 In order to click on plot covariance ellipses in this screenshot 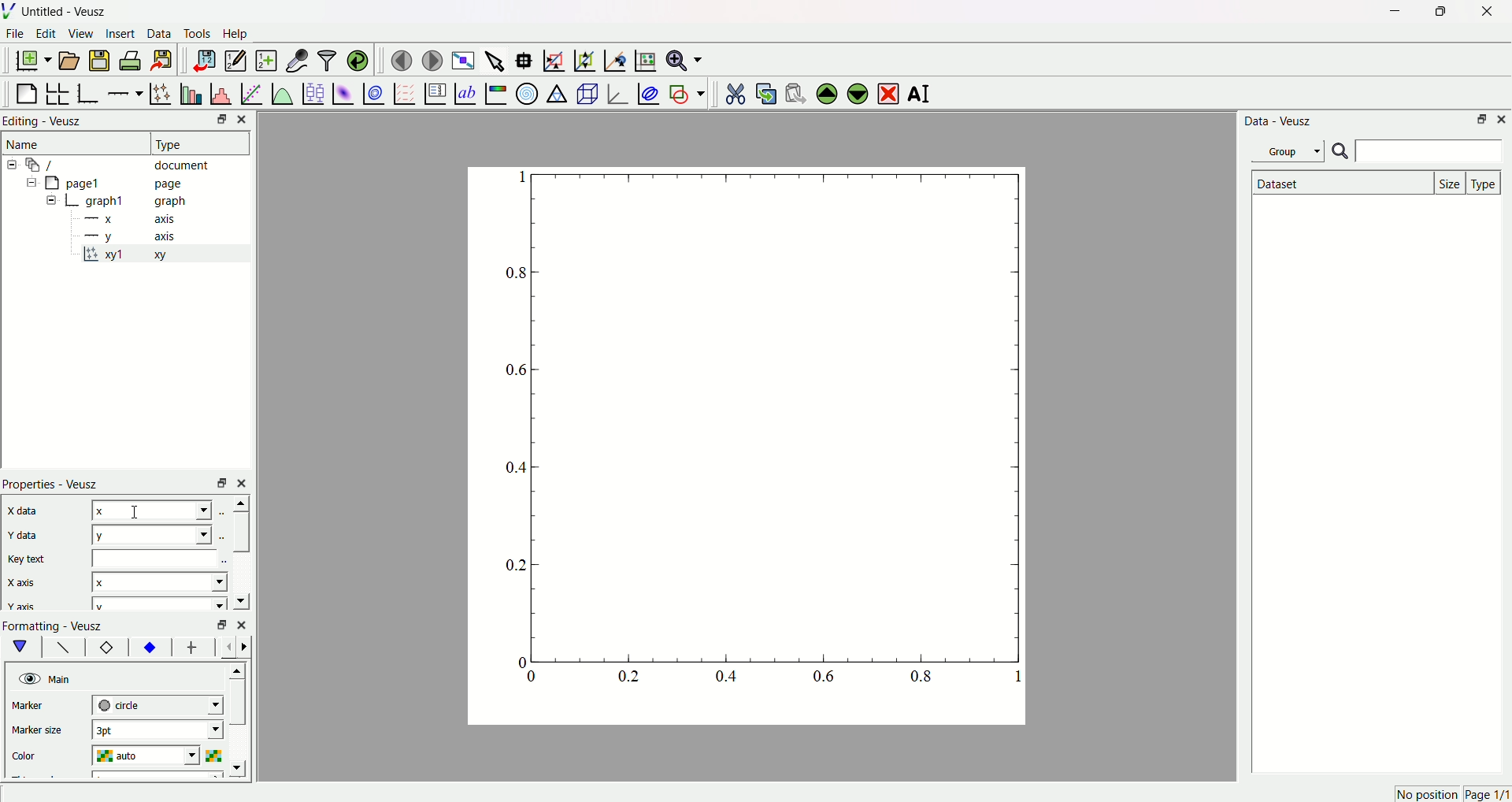, I will do `click(647, 91)`.